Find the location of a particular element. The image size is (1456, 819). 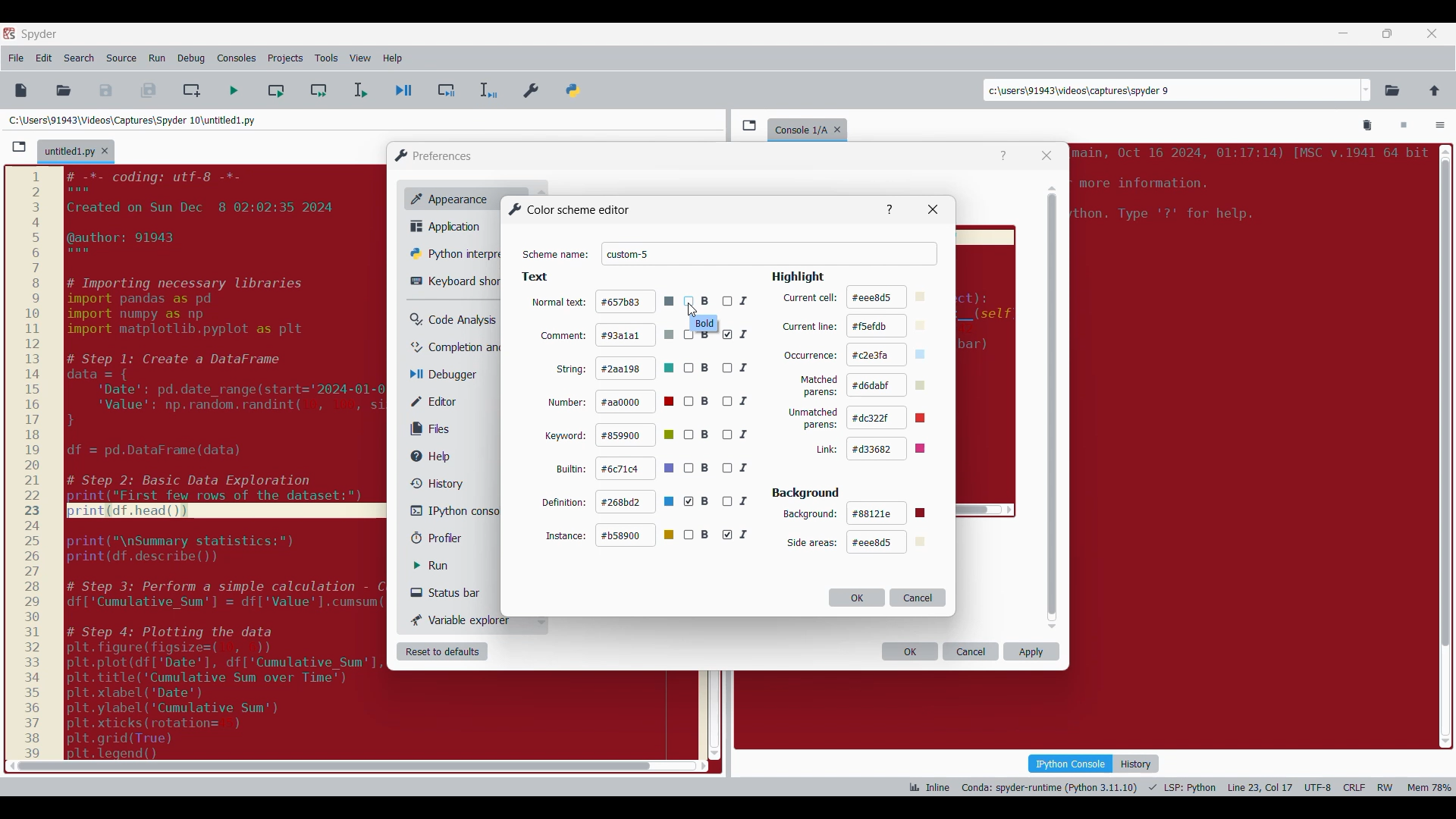

 is located at coordinates (890, 208).